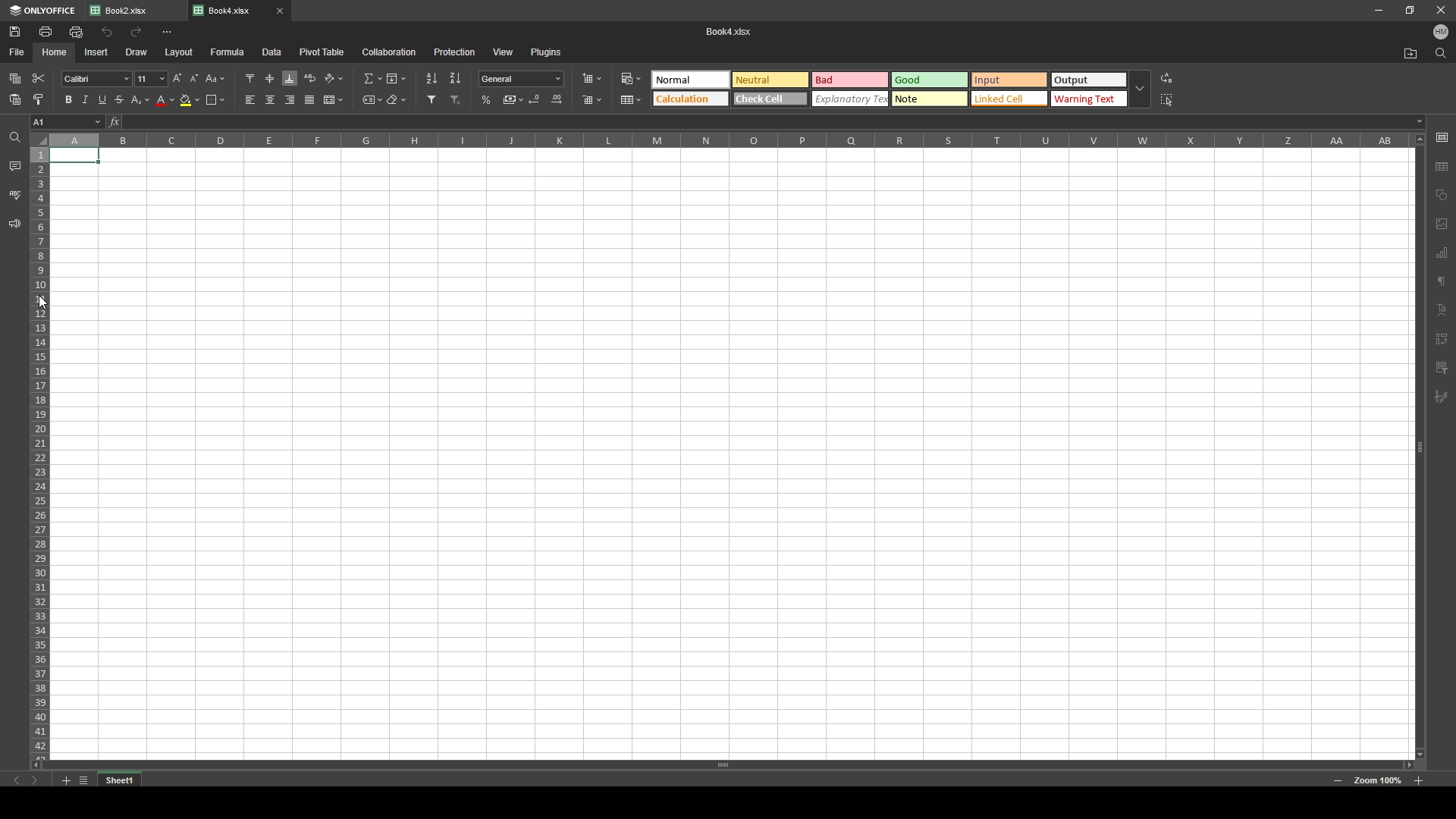  What do you see at coordinates (15, 79) in the screenshot?
I see `paste` at bounding box center [15, 79].